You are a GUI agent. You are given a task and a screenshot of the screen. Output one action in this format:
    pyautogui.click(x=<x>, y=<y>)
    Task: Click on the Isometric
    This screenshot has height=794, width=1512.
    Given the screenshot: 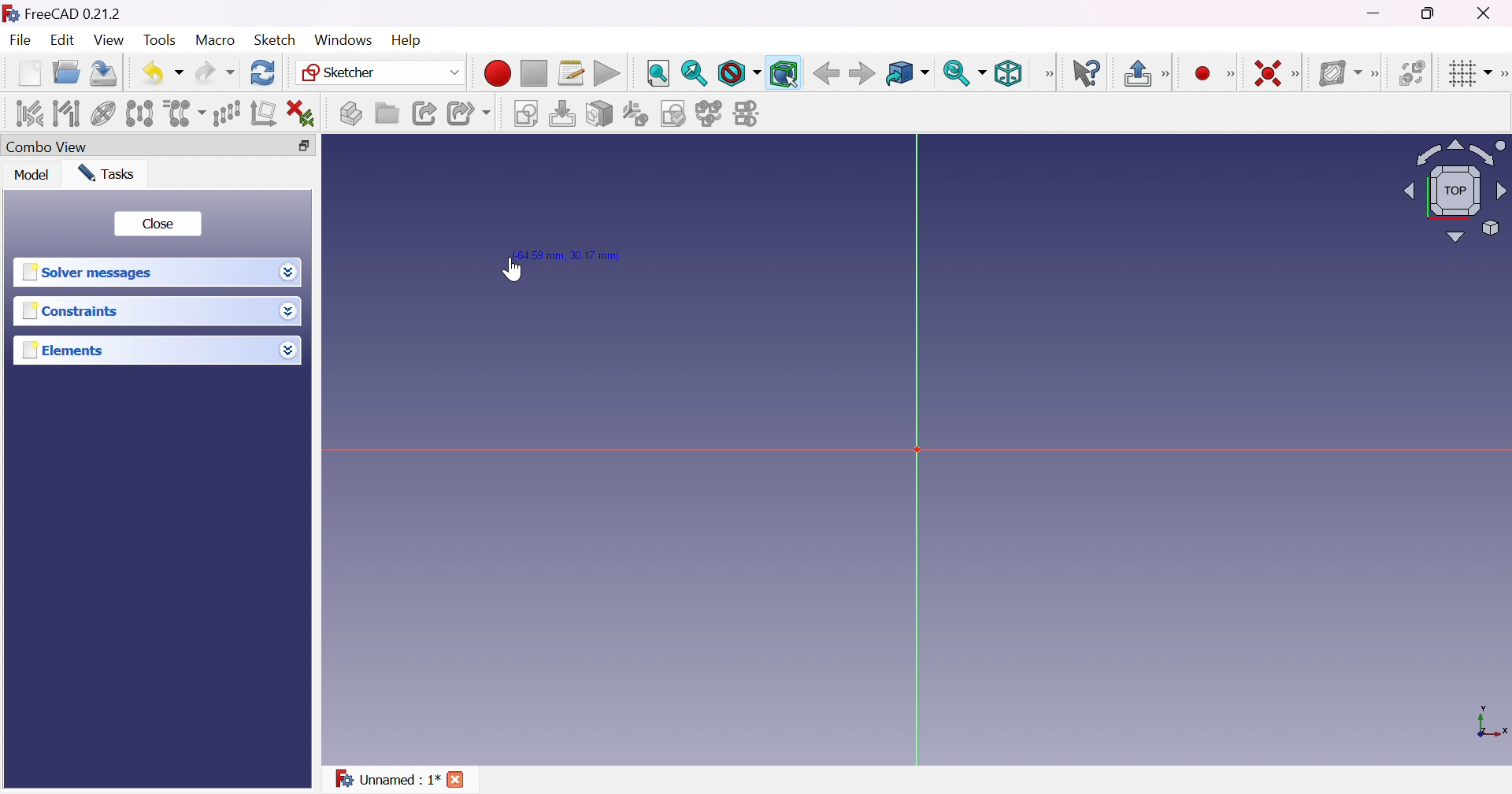 What is the action you would take?
    pyautogui.click(x=1009, y=72)
    